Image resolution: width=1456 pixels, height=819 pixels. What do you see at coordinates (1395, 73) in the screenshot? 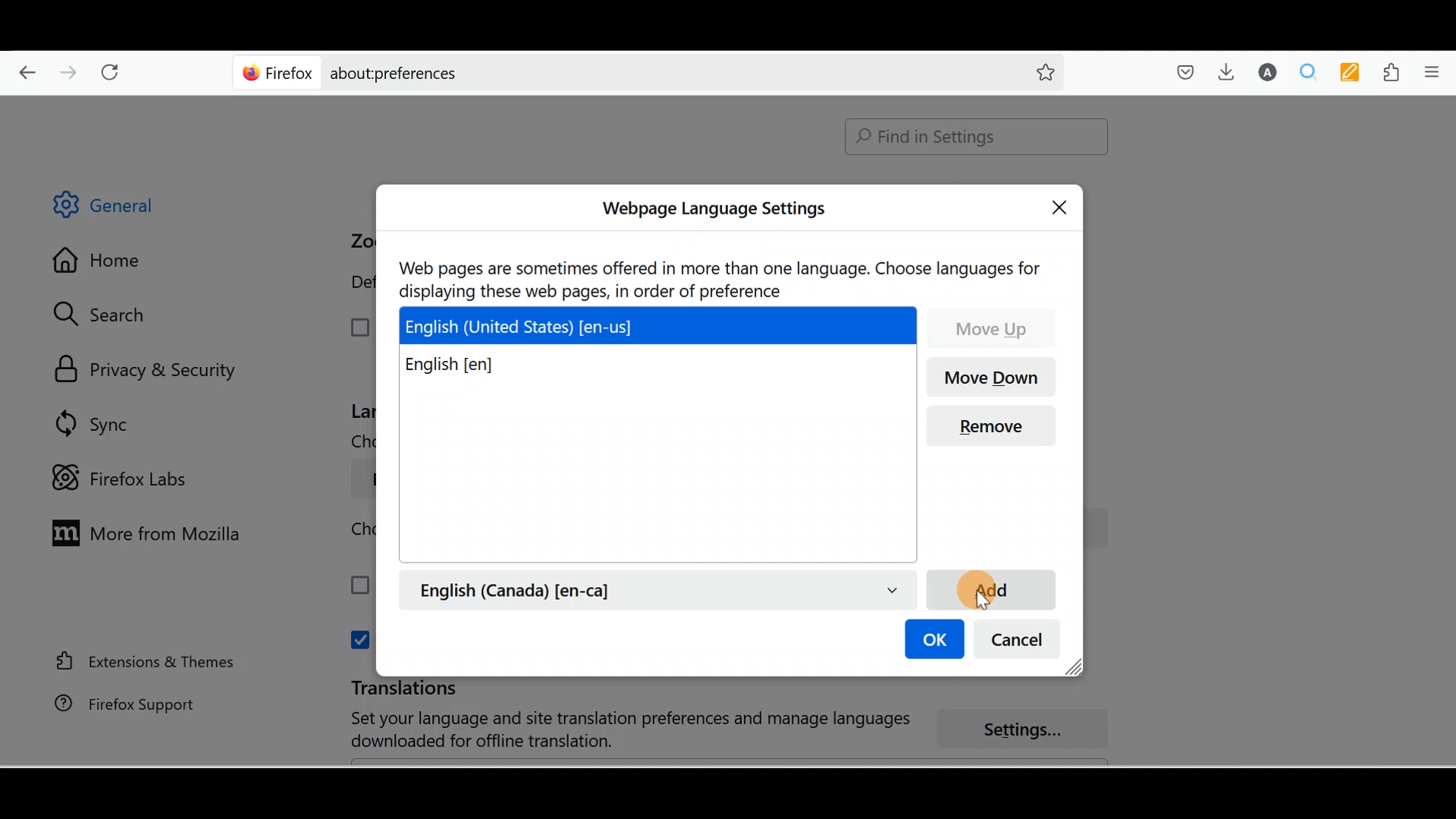
I see `Extensions` at bounding box center [1395, 73].